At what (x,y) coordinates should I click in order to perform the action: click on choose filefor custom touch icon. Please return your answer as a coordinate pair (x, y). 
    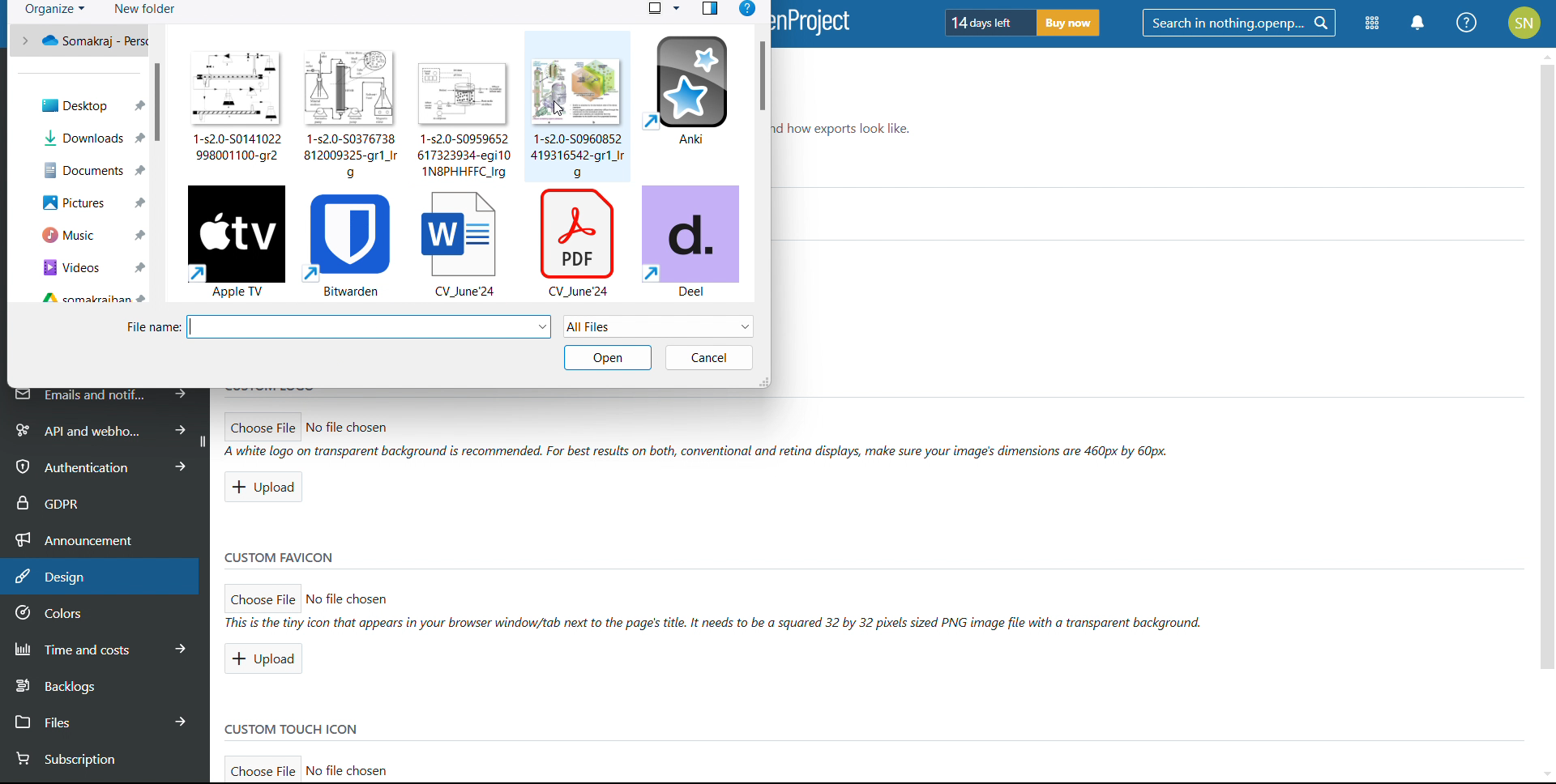
    Looking at the image, I should click on (261, 771).